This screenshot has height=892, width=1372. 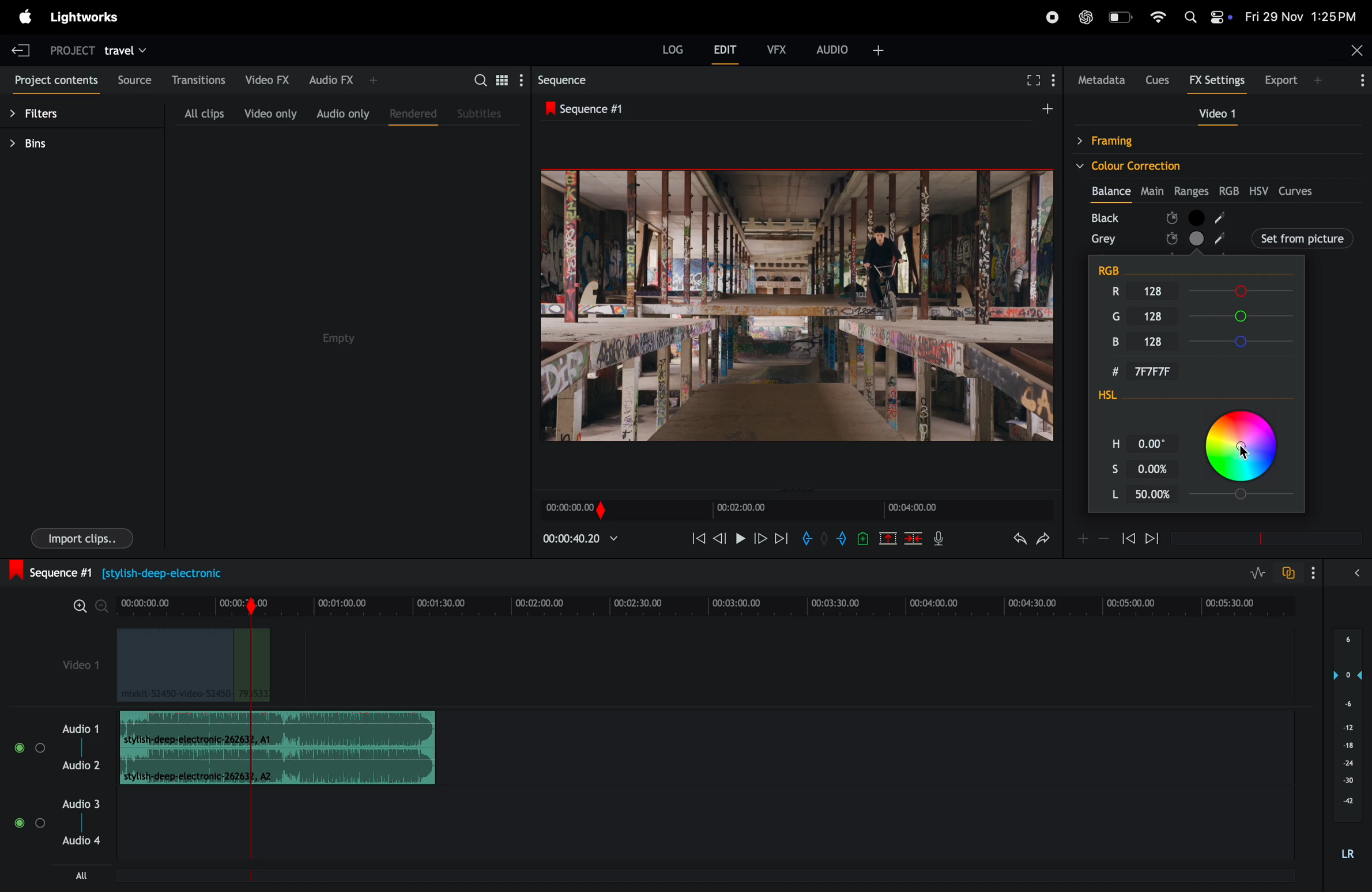 I want to click on More Info, so click(x=1363, y=84).